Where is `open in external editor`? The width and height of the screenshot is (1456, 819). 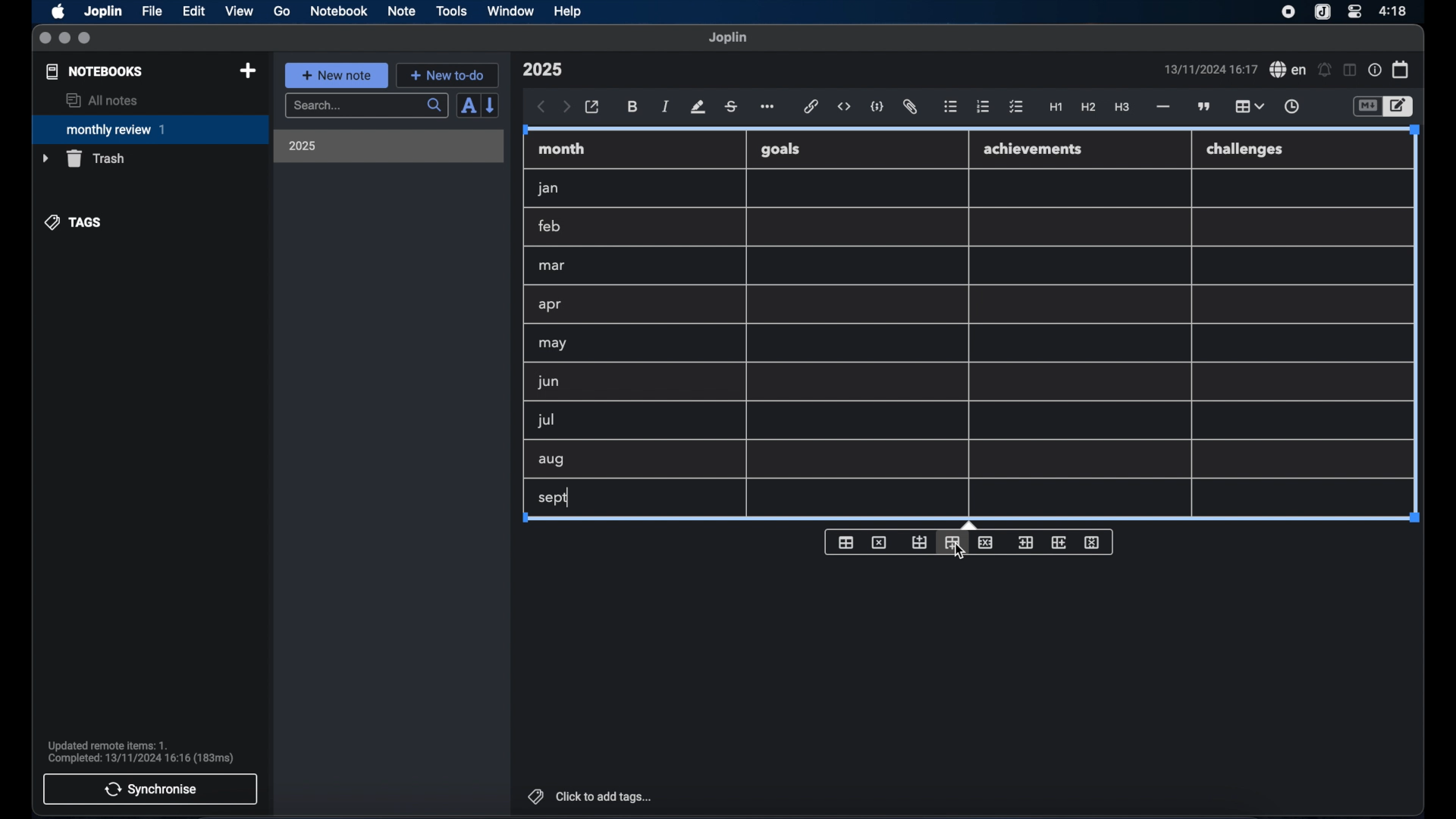
open in external editor is located at coordinates (593, 108).